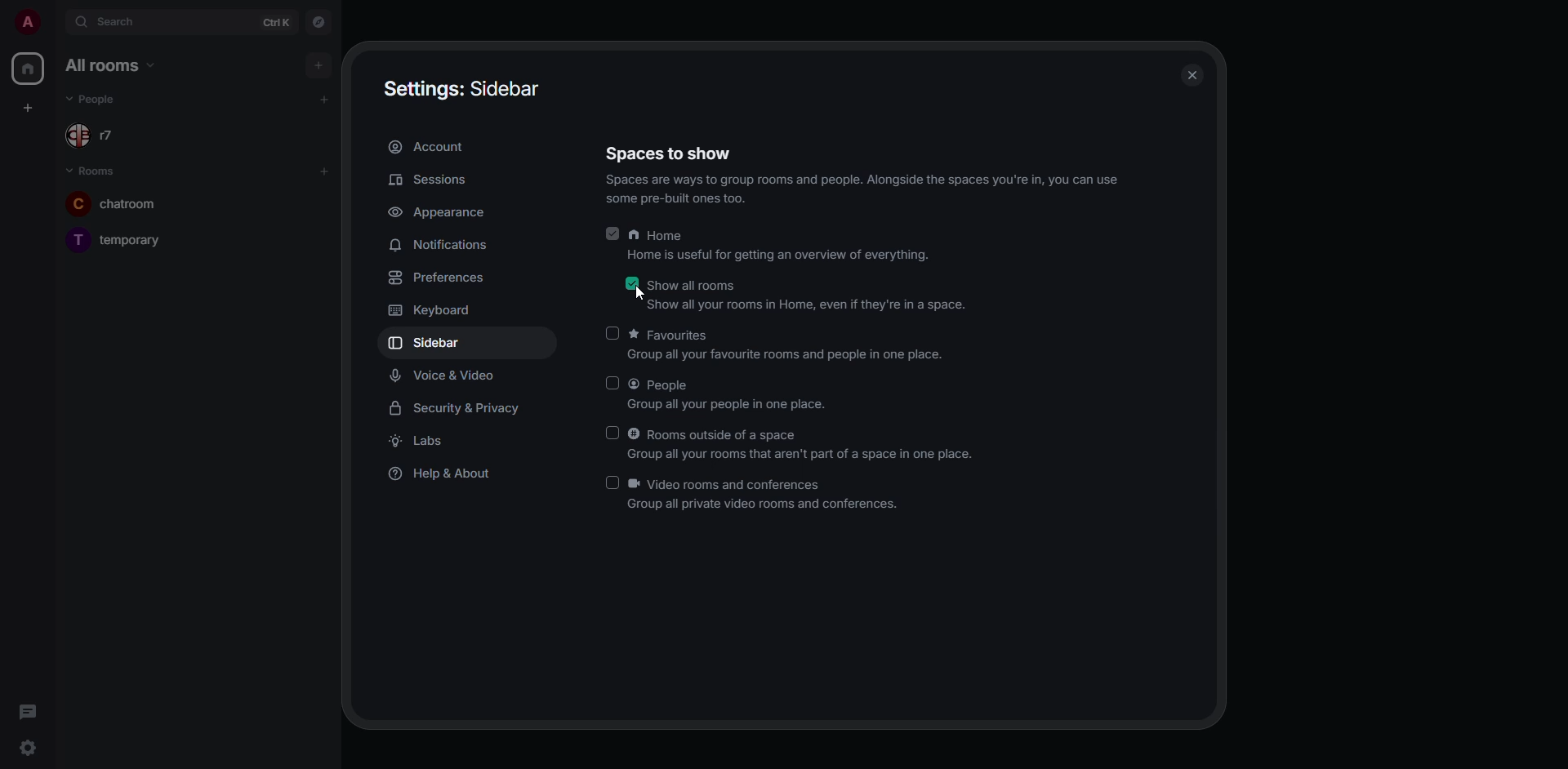 The width and height of the screenshot is (1568, 769). What do you see at coordinates (1191, 73) in the screenshot?
I see `close` at bounding box center [1191, 73].